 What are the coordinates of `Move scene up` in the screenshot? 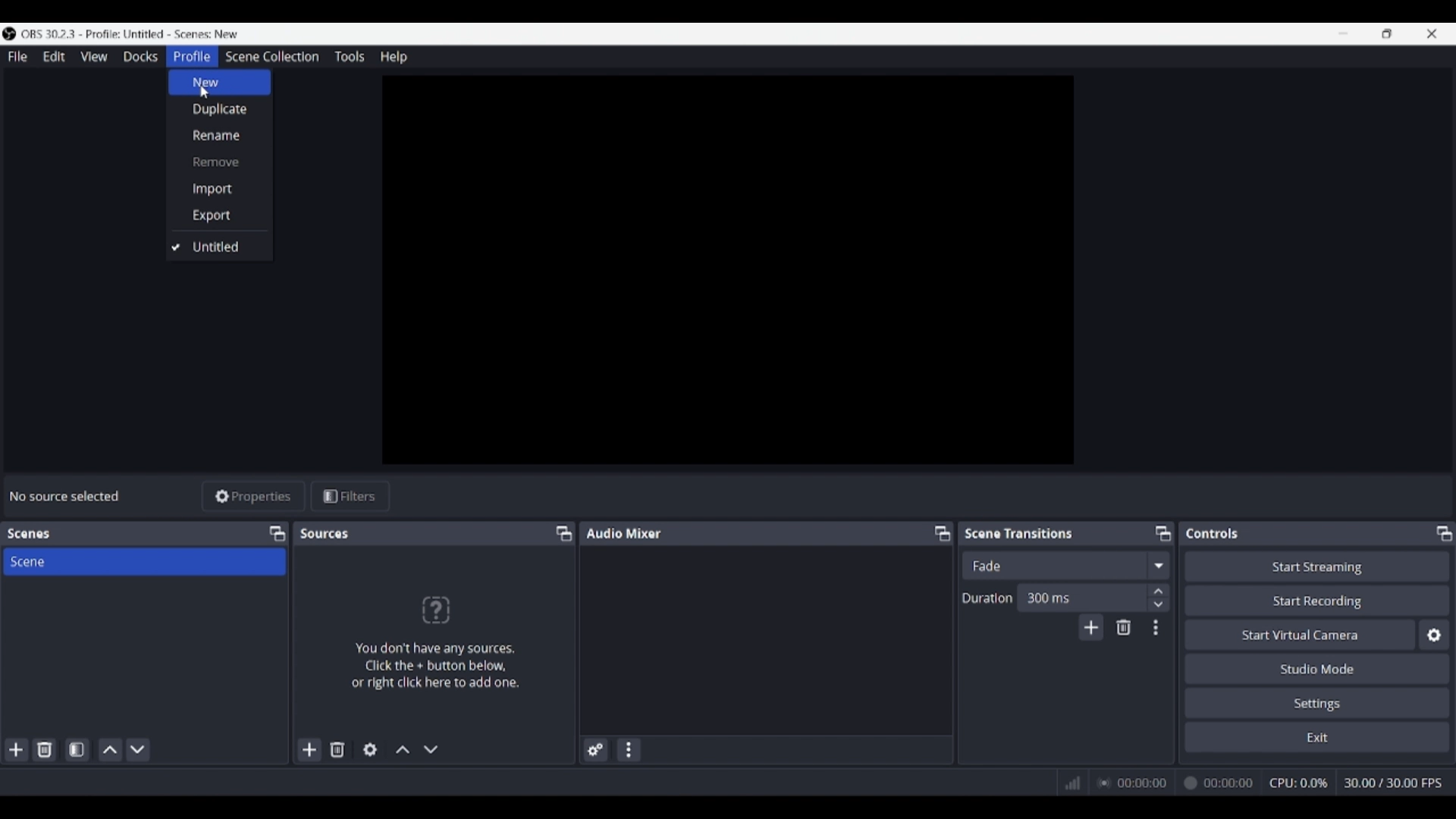 It's located at (111, 750).